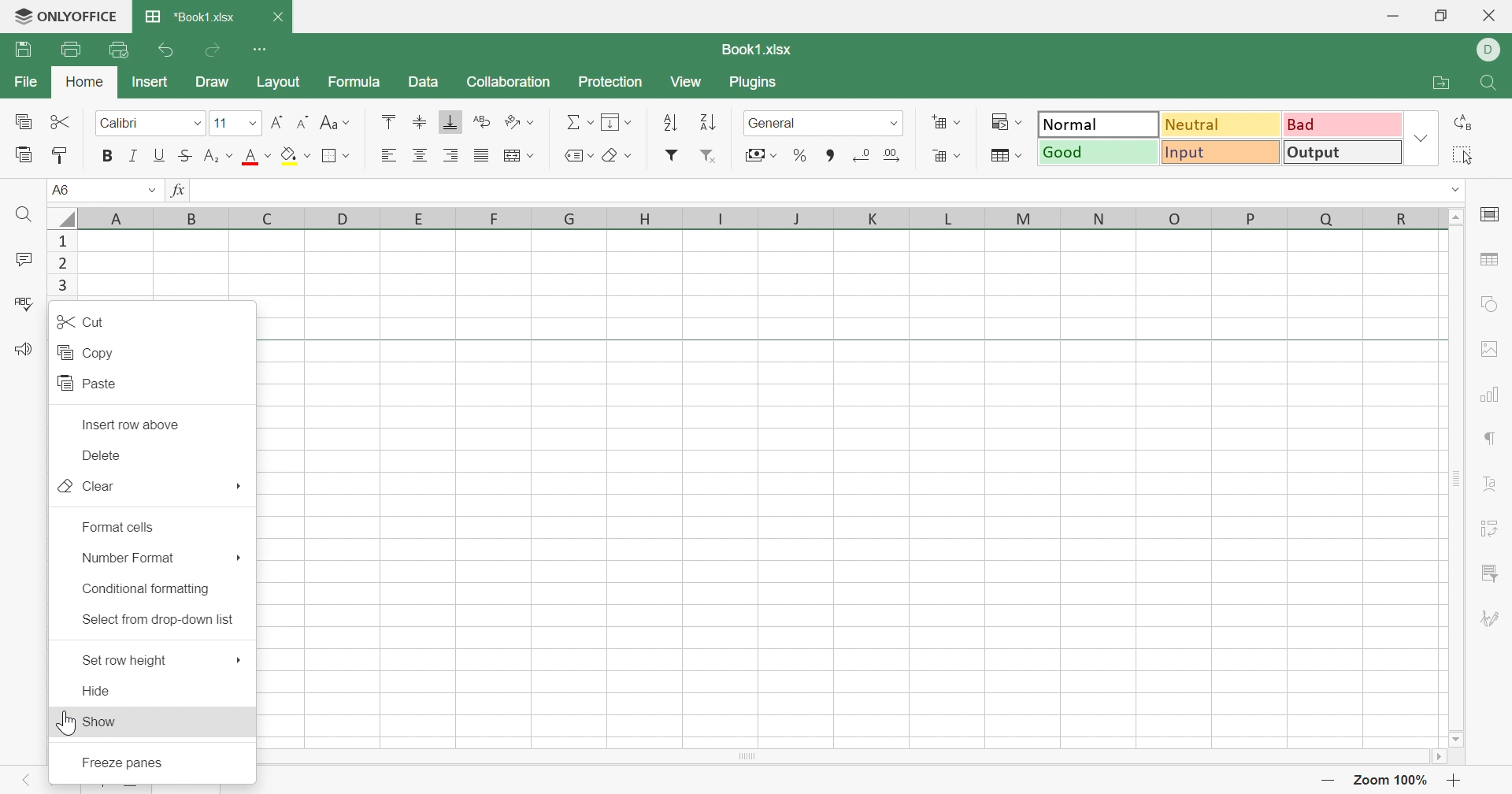  What do you see at coordinates (238, 558) in the screenshot?
I see `More` at bounding box center [238, 558].